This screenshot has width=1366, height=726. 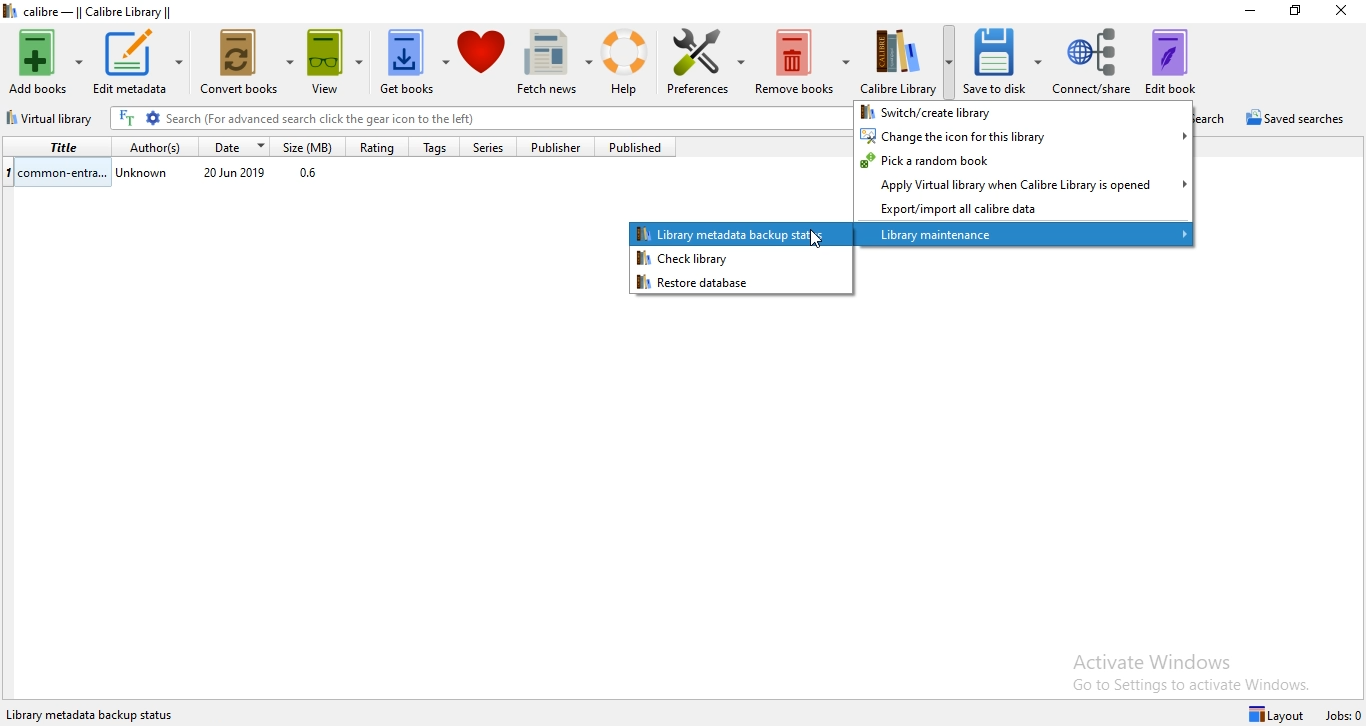 I want to click on restore database, so click(x=737, y=283).